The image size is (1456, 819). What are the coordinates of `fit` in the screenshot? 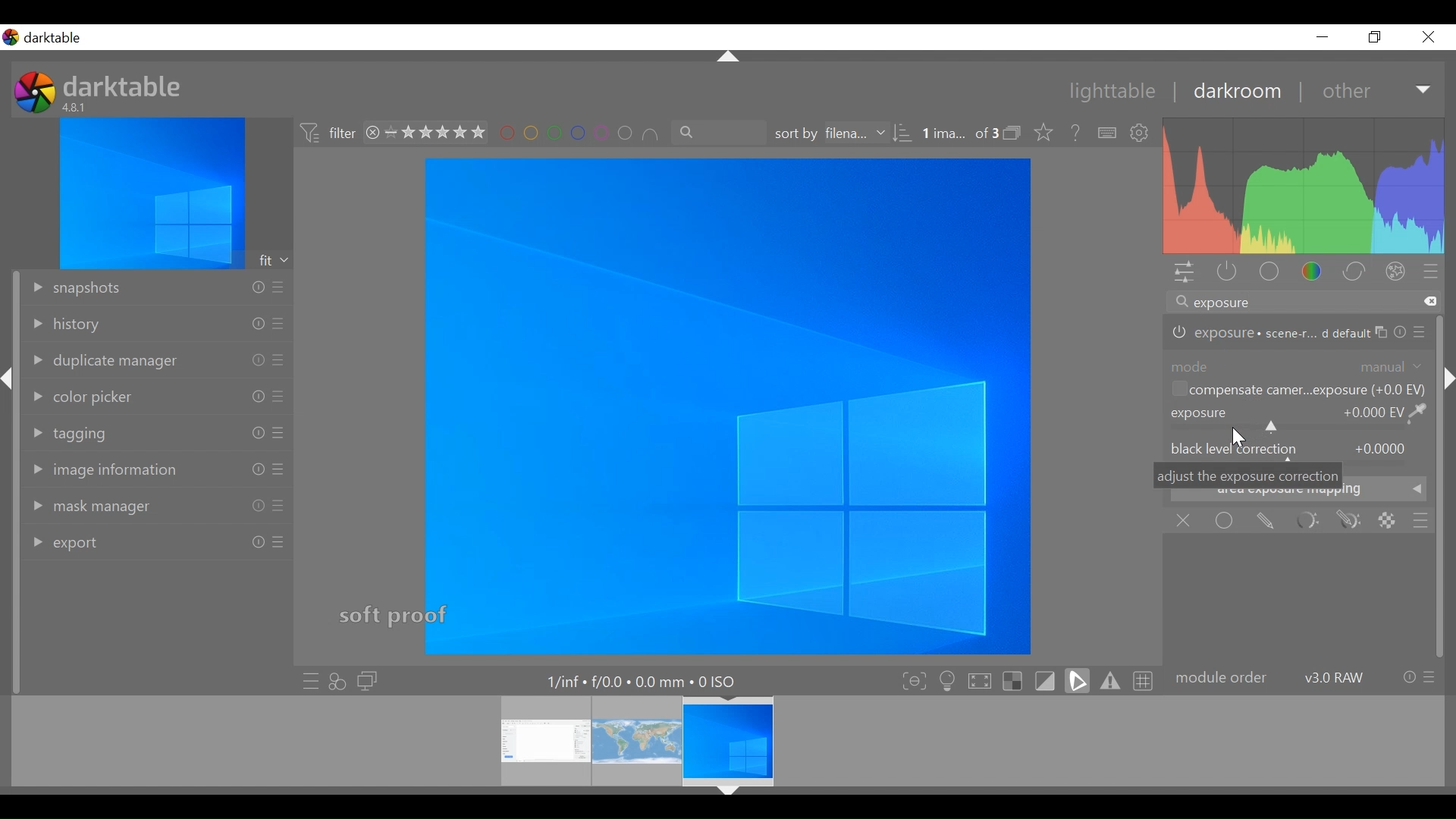 It's located at (275, 260).